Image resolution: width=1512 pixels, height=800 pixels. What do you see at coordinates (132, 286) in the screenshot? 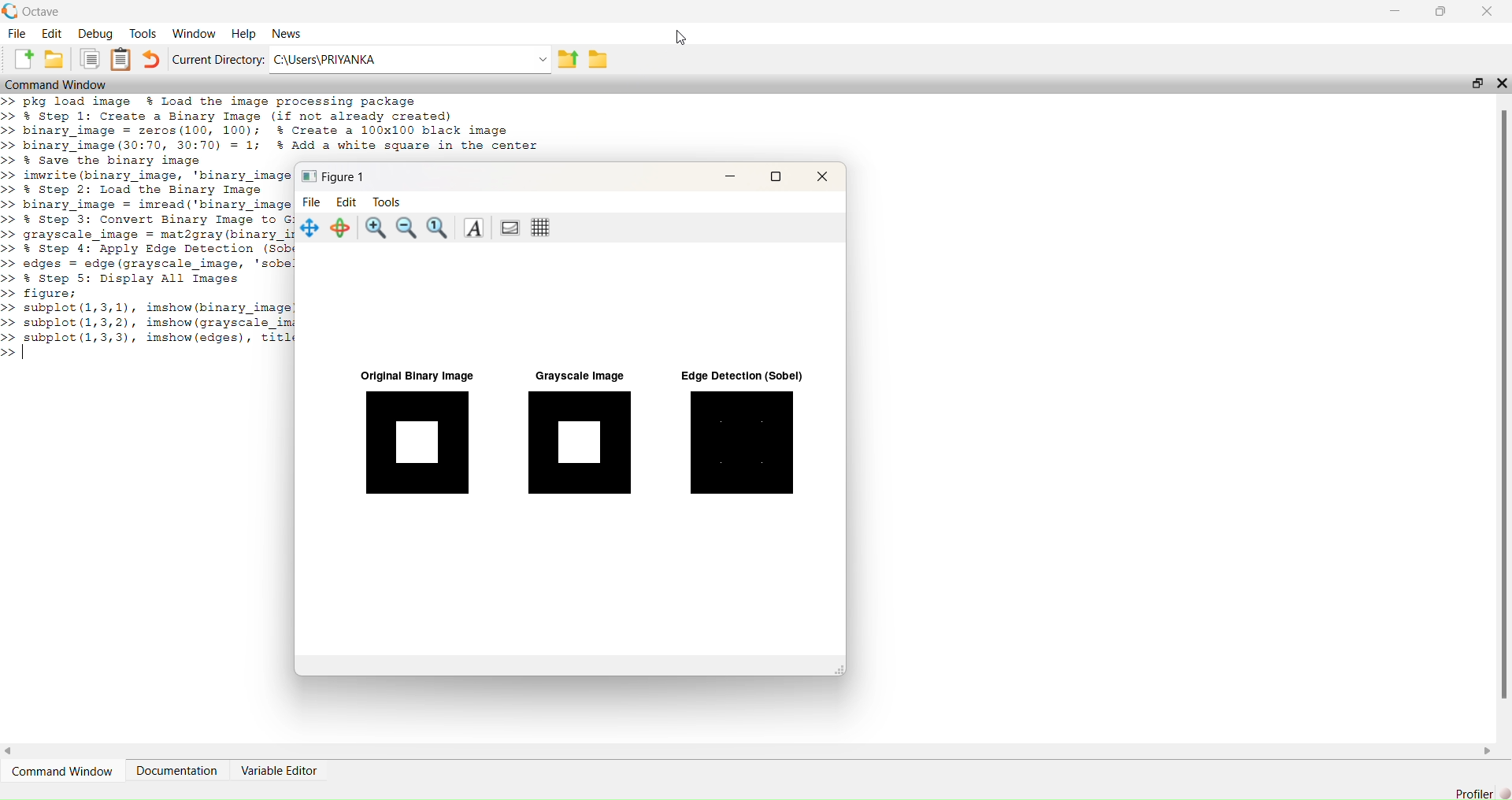
I see `% Step 5: Display All Images figure;` at bounding box center [132, 286].